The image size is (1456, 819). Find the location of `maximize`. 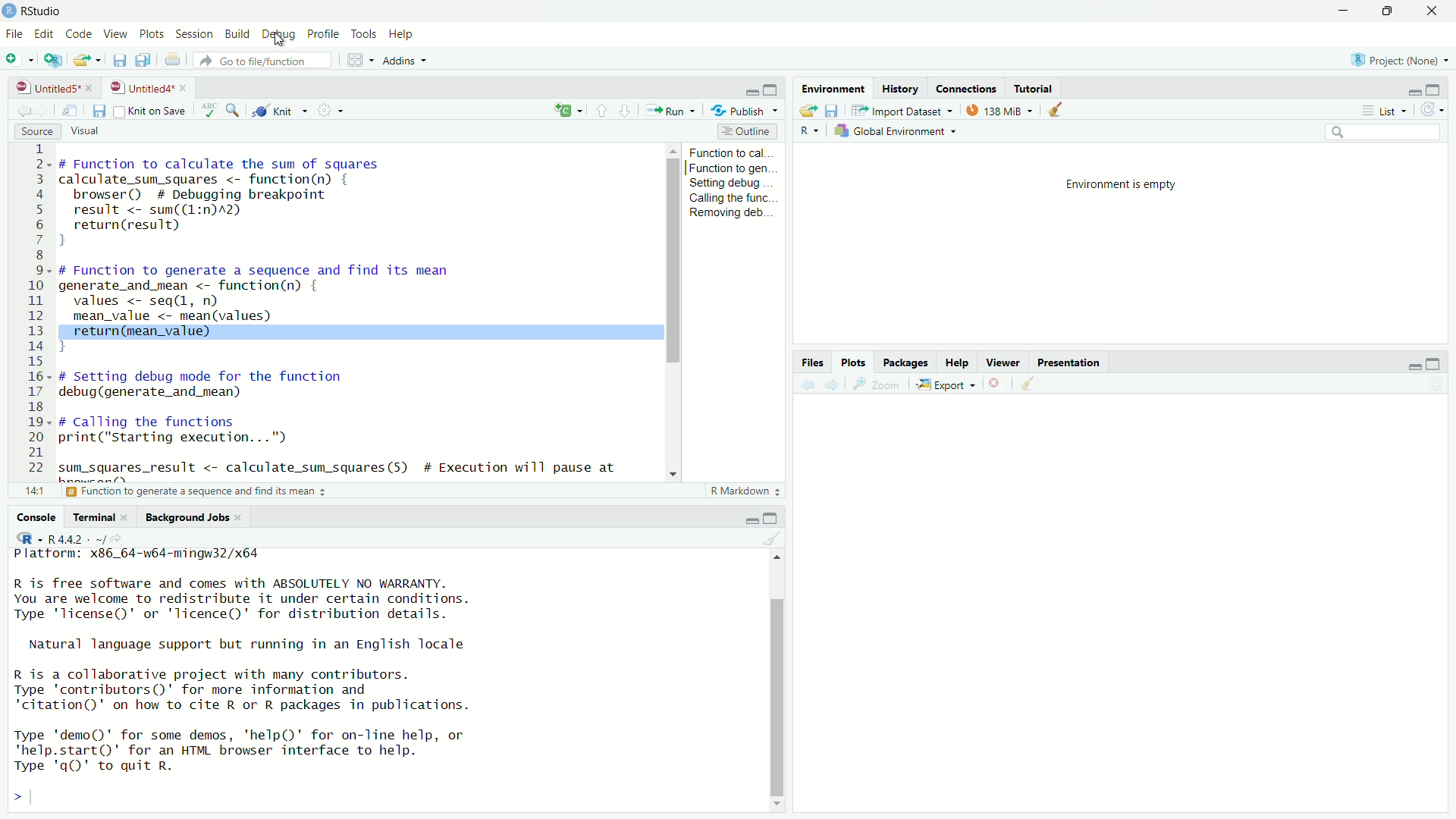

maximize is located at coordinates (1439, 359).